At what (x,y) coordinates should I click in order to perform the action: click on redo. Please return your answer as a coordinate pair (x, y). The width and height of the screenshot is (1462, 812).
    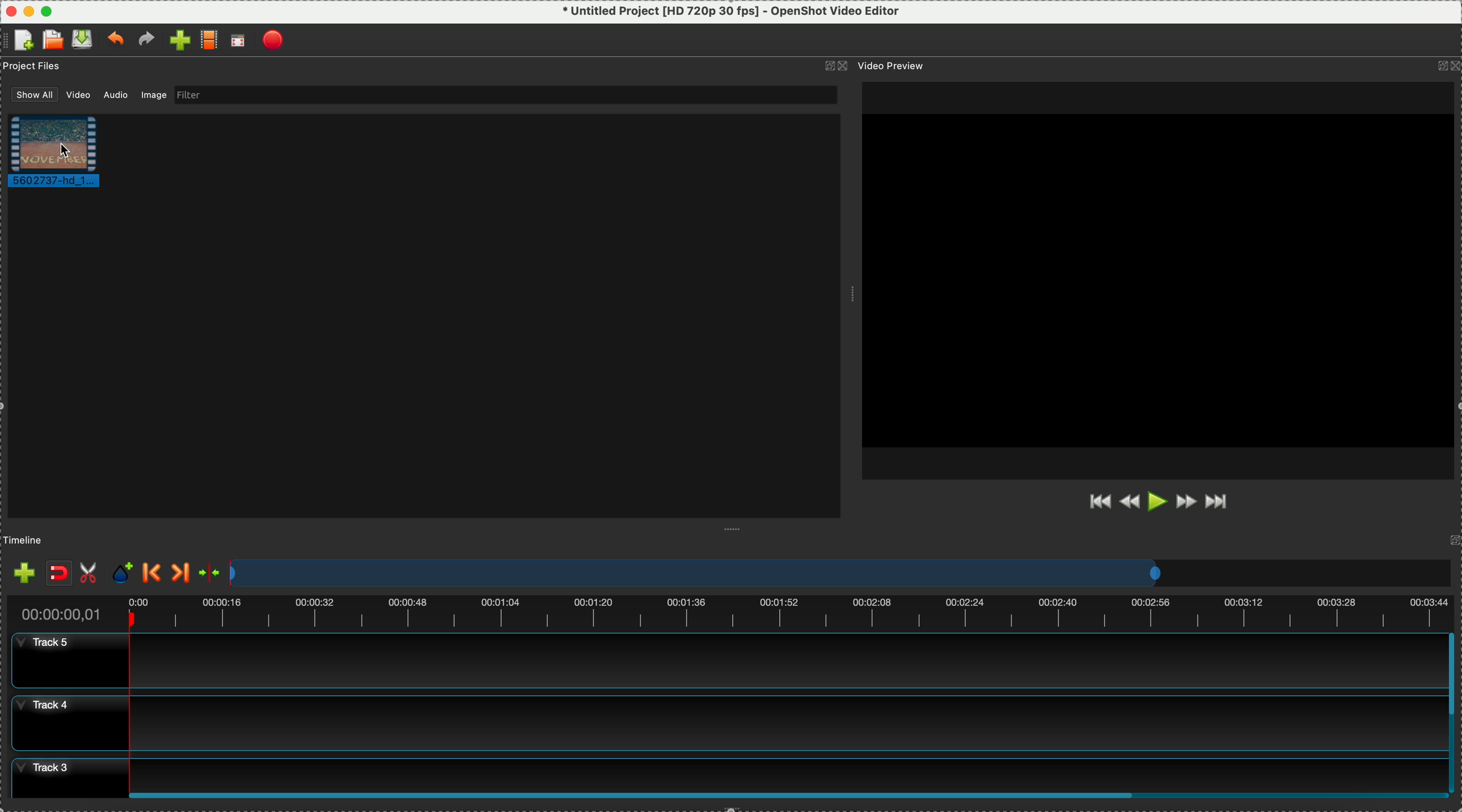
    Looking at the image, I should click on (146, 40).